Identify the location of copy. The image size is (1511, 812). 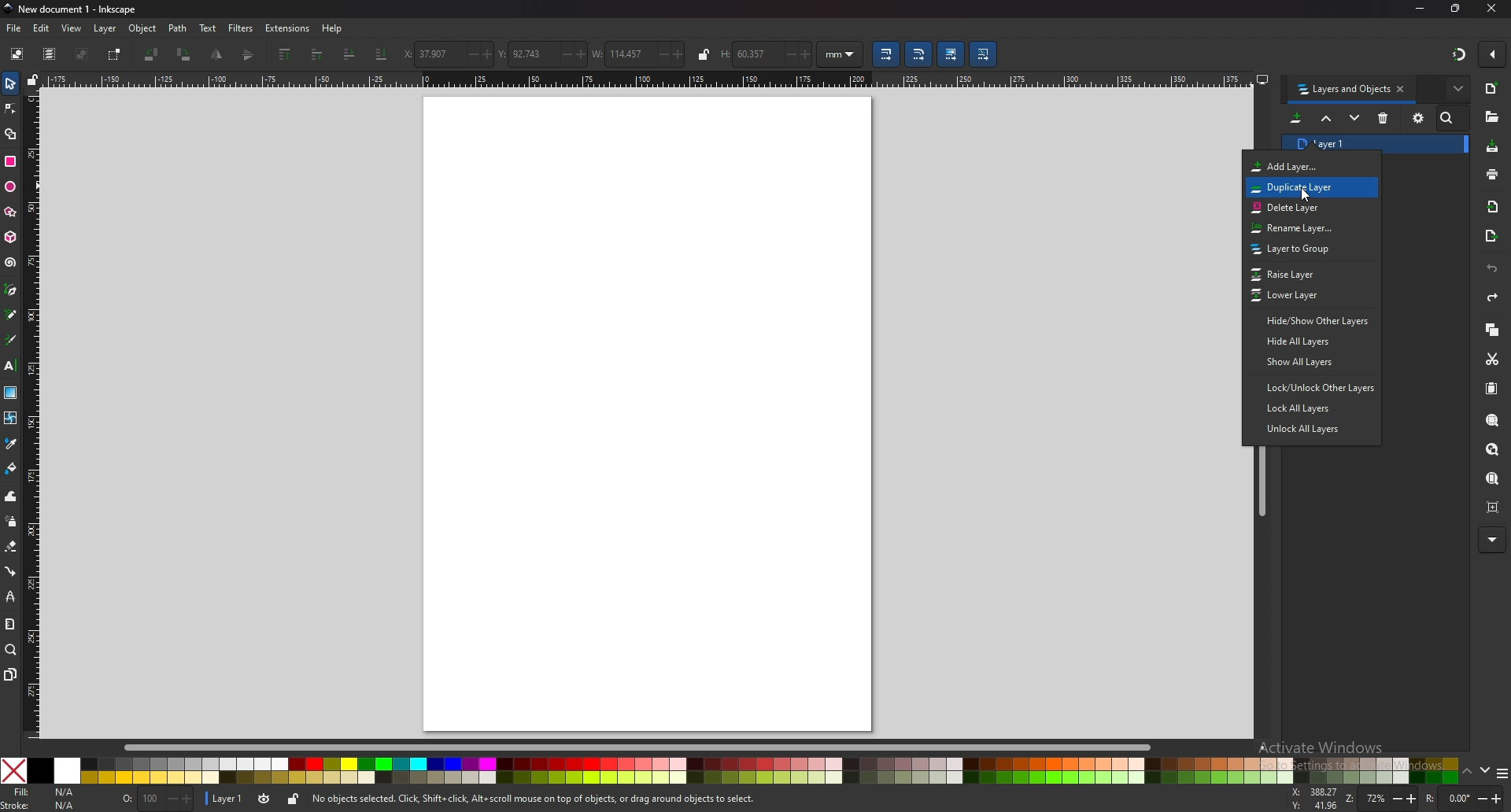
(1492, 328).